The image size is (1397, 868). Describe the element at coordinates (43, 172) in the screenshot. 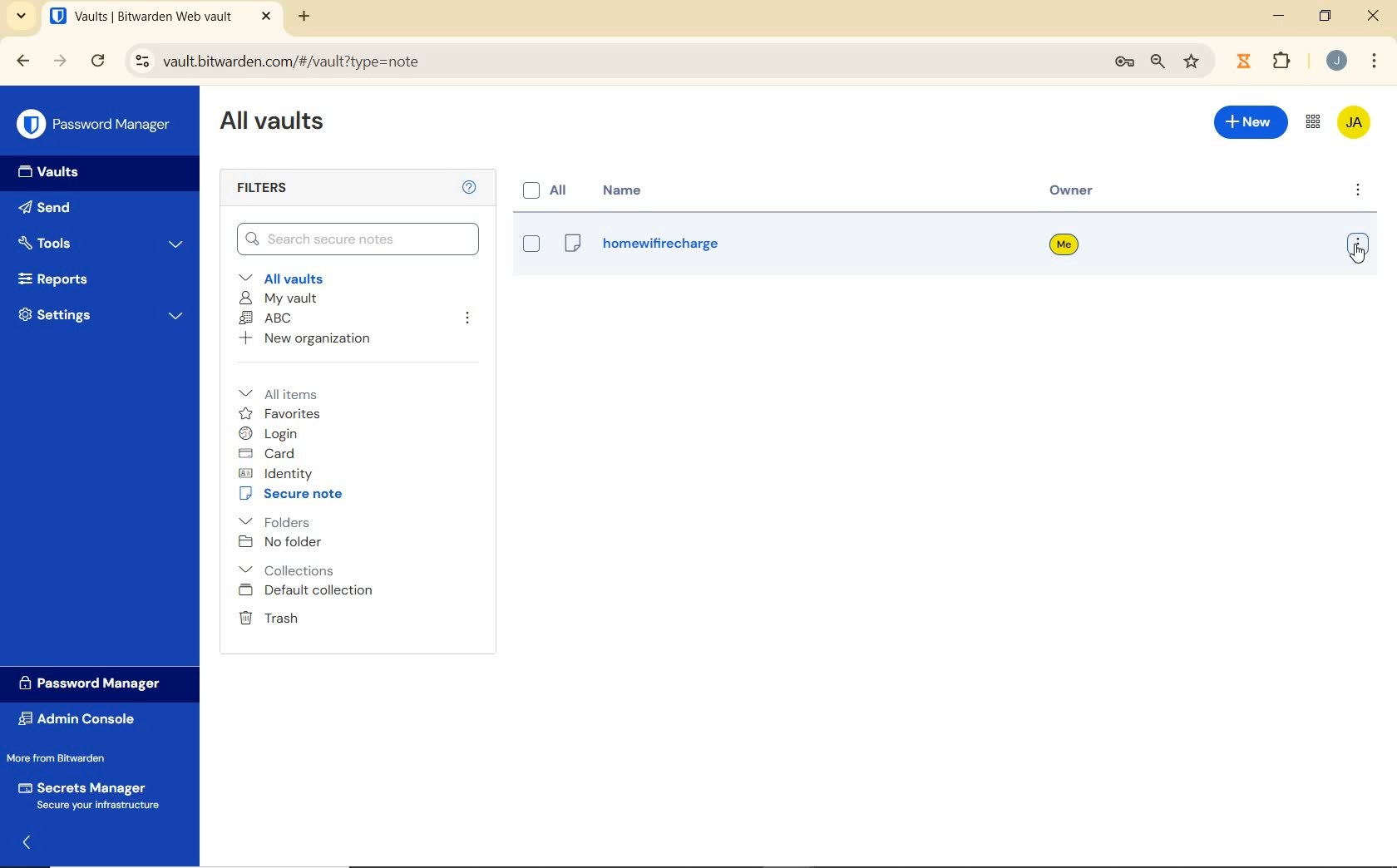

I see `Vaults` at that location.